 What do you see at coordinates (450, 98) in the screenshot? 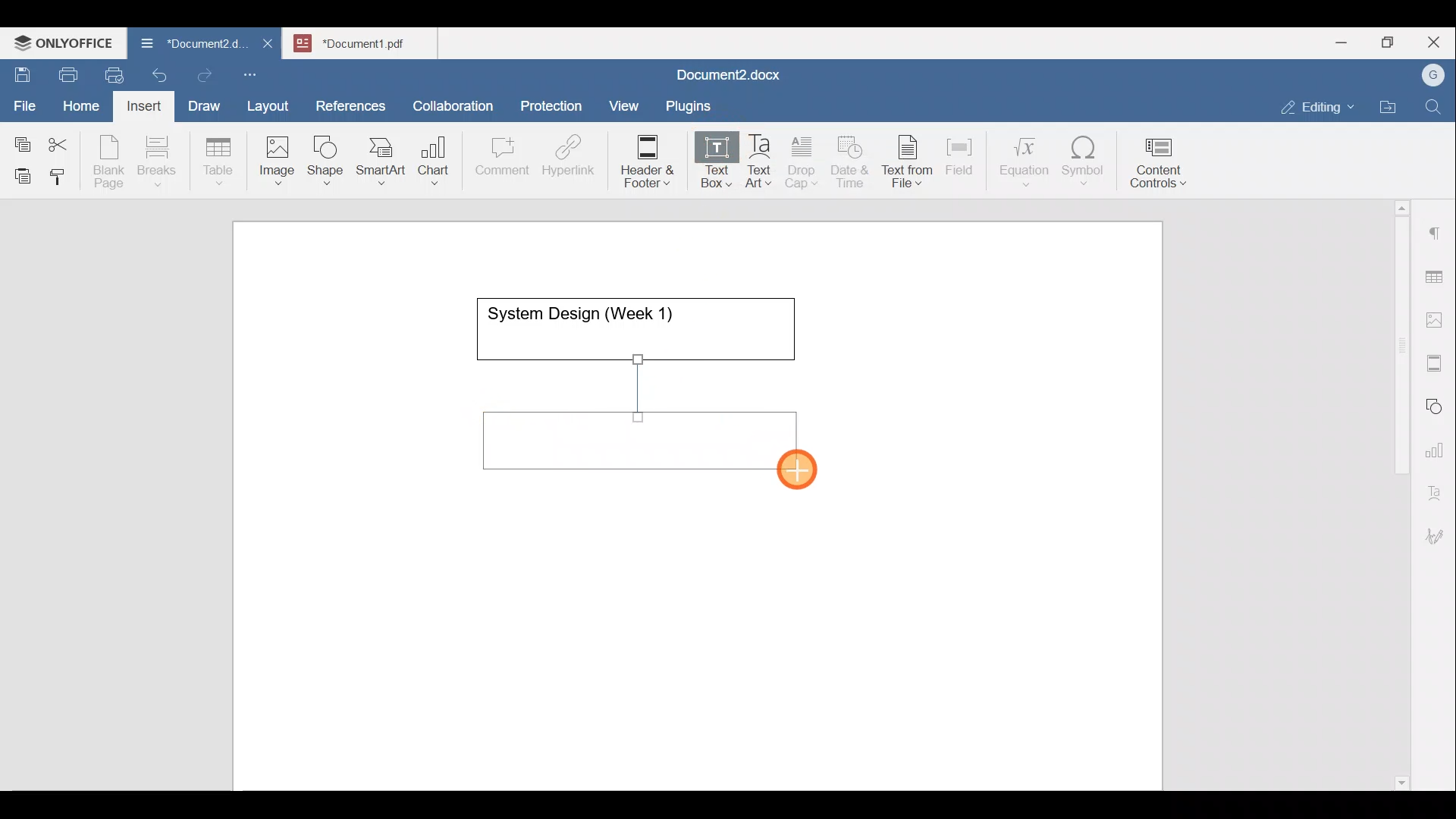
I see `Collaboration` at bounding box center [450, 98].